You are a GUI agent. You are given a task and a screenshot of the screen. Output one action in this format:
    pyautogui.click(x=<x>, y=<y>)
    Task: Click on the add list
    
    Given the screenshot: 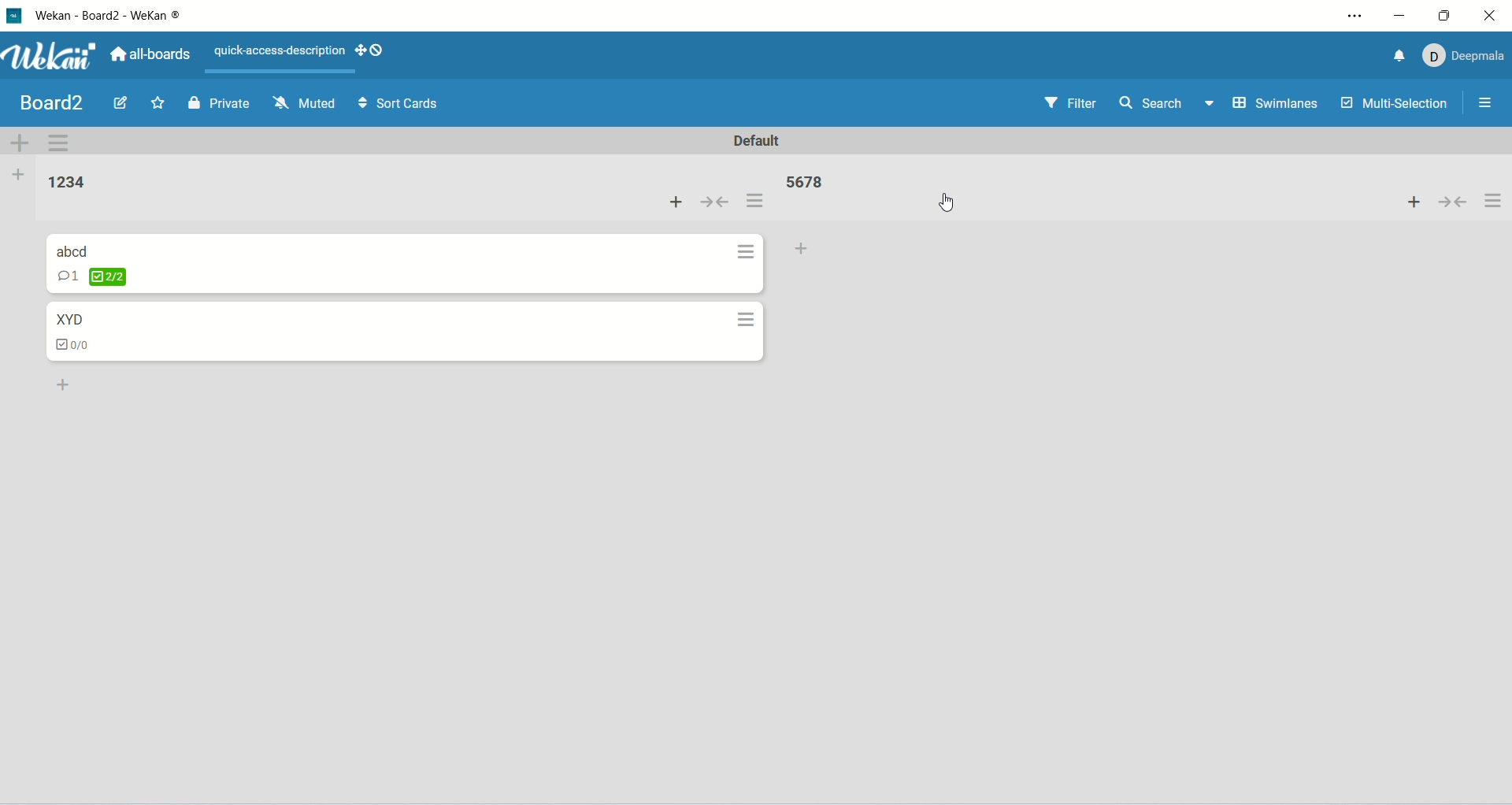 What is the action you would take?
    pyautogui.click(x=20, y=175)
    